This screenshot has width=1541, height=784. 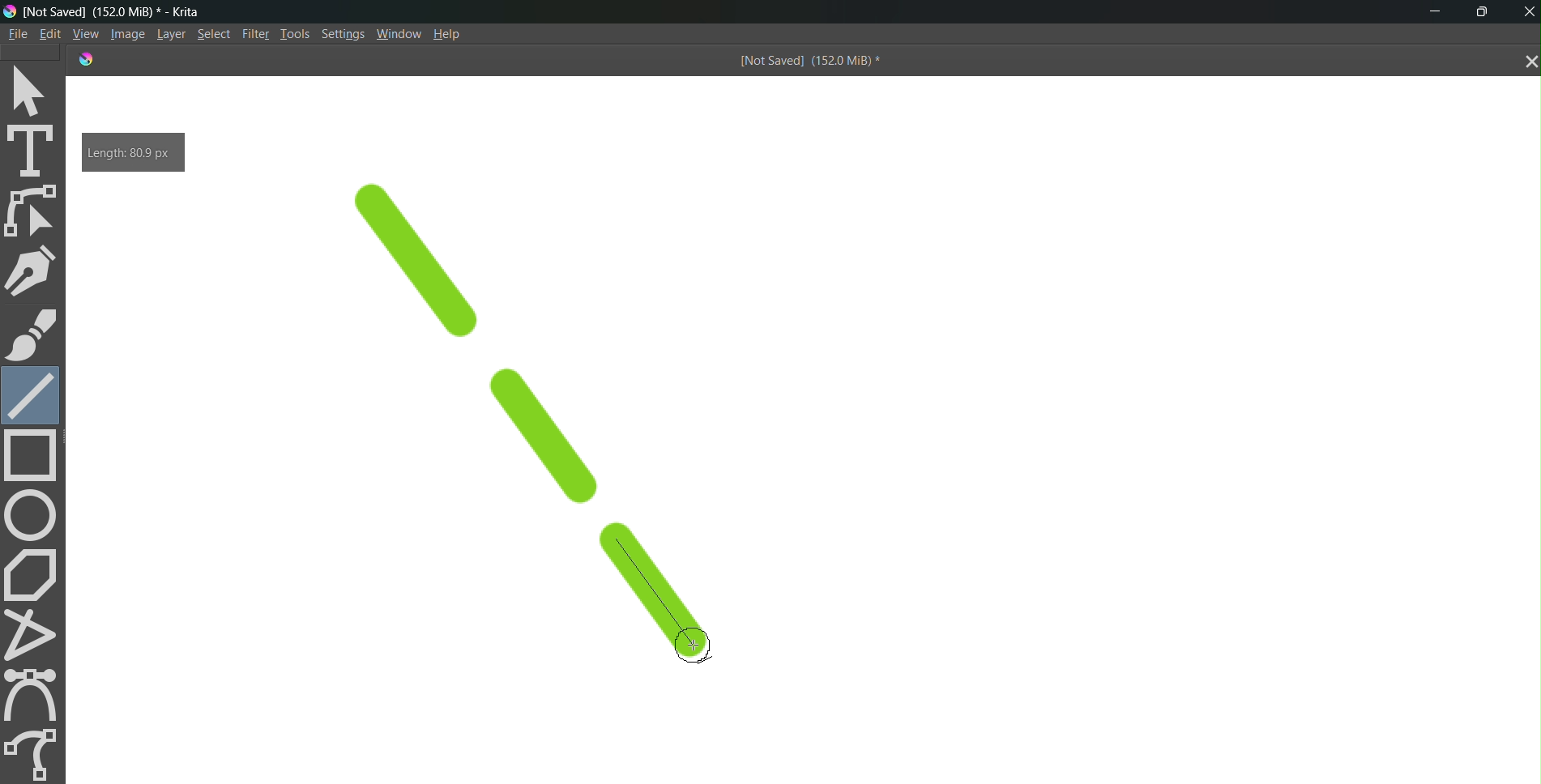 What do you see at coordinates (649, 605) in the screenshot?
I see `line` at bounding box center [649, 605].